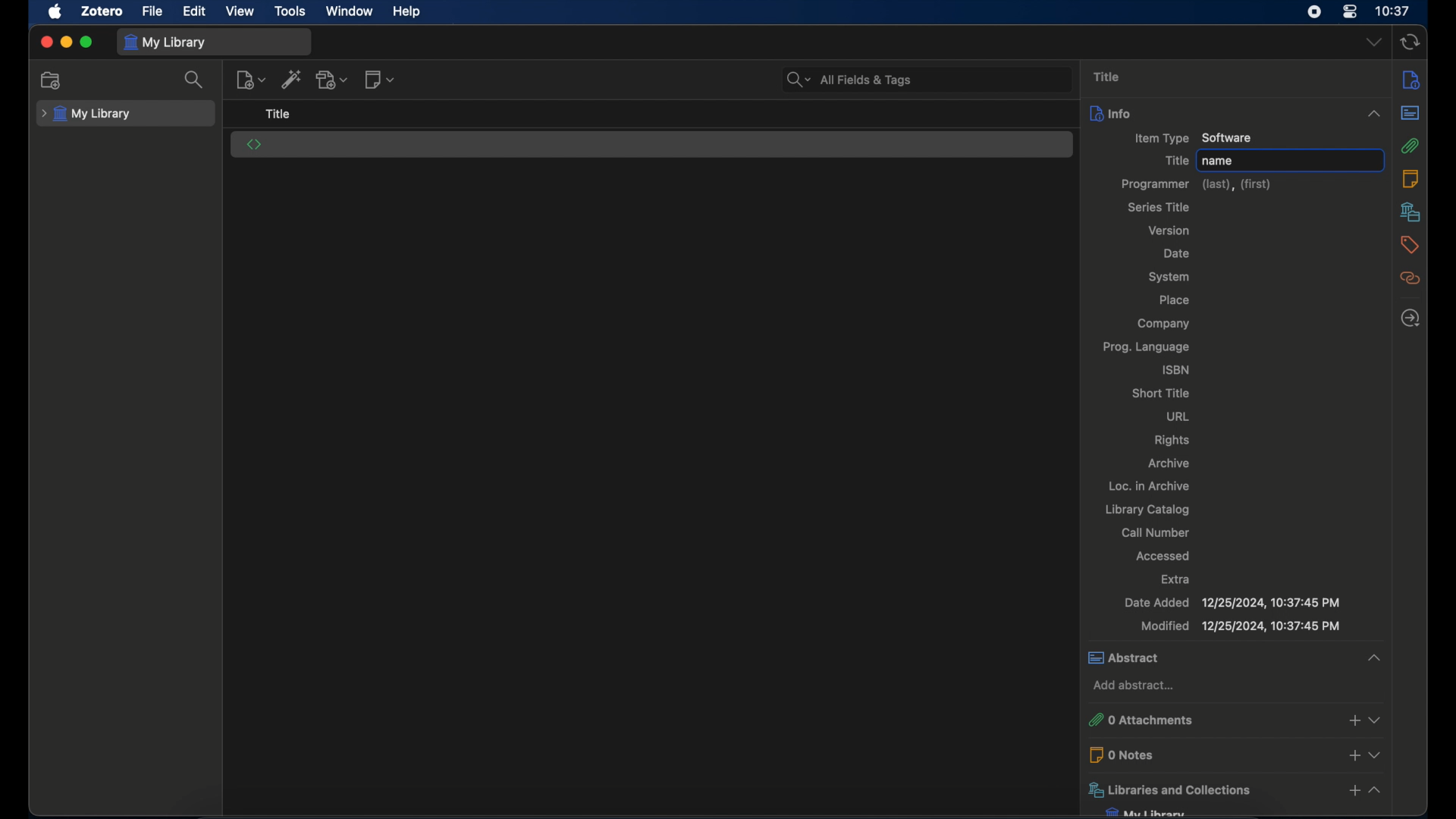 This screenshot has height=819, width=1456. Describe the element at coordinates (1178, 368) in the screenshot. I see `isbn` at that location.